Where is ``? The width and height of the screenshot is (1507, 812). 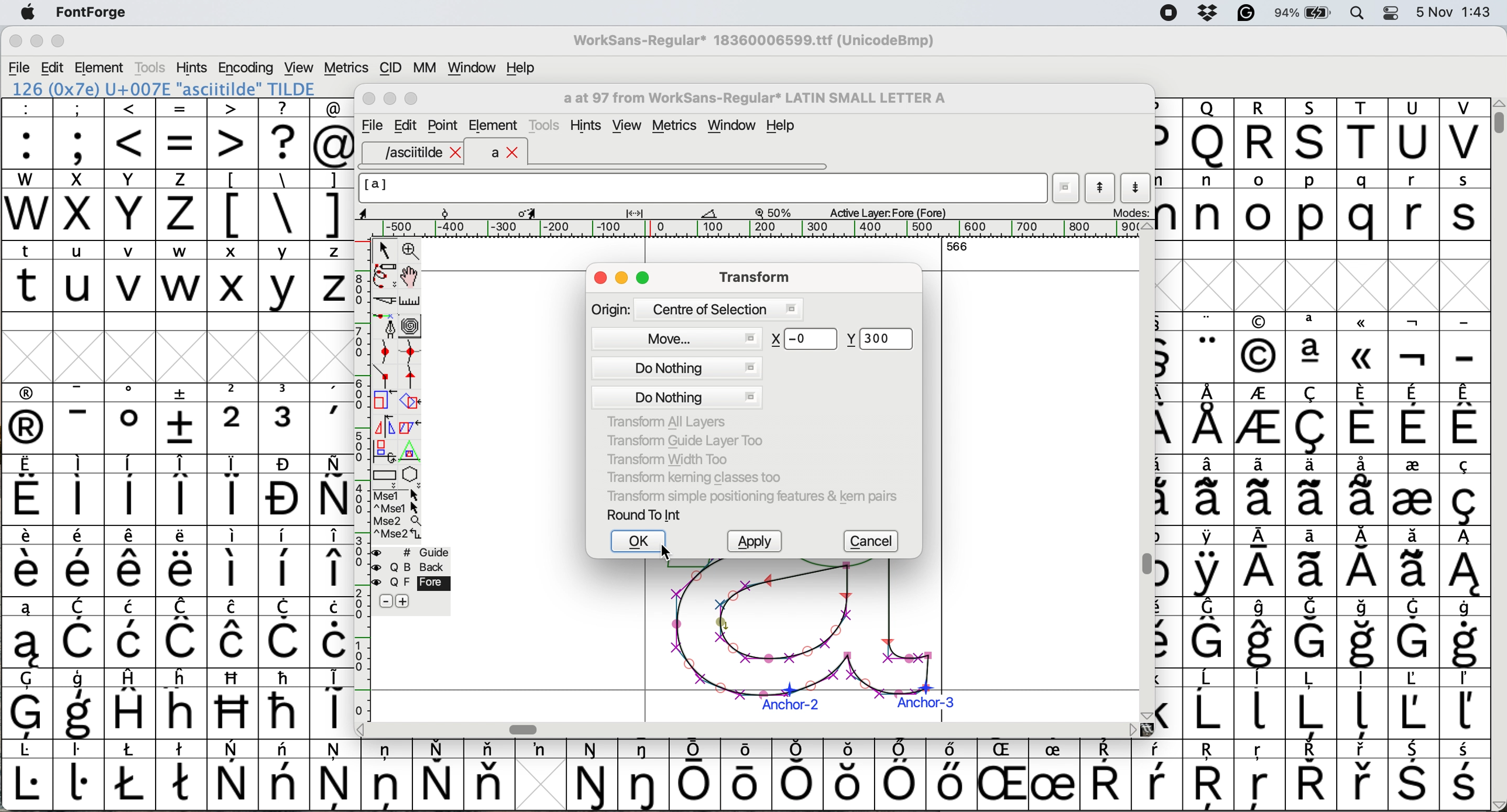
 is located at coordinates (183, 703).